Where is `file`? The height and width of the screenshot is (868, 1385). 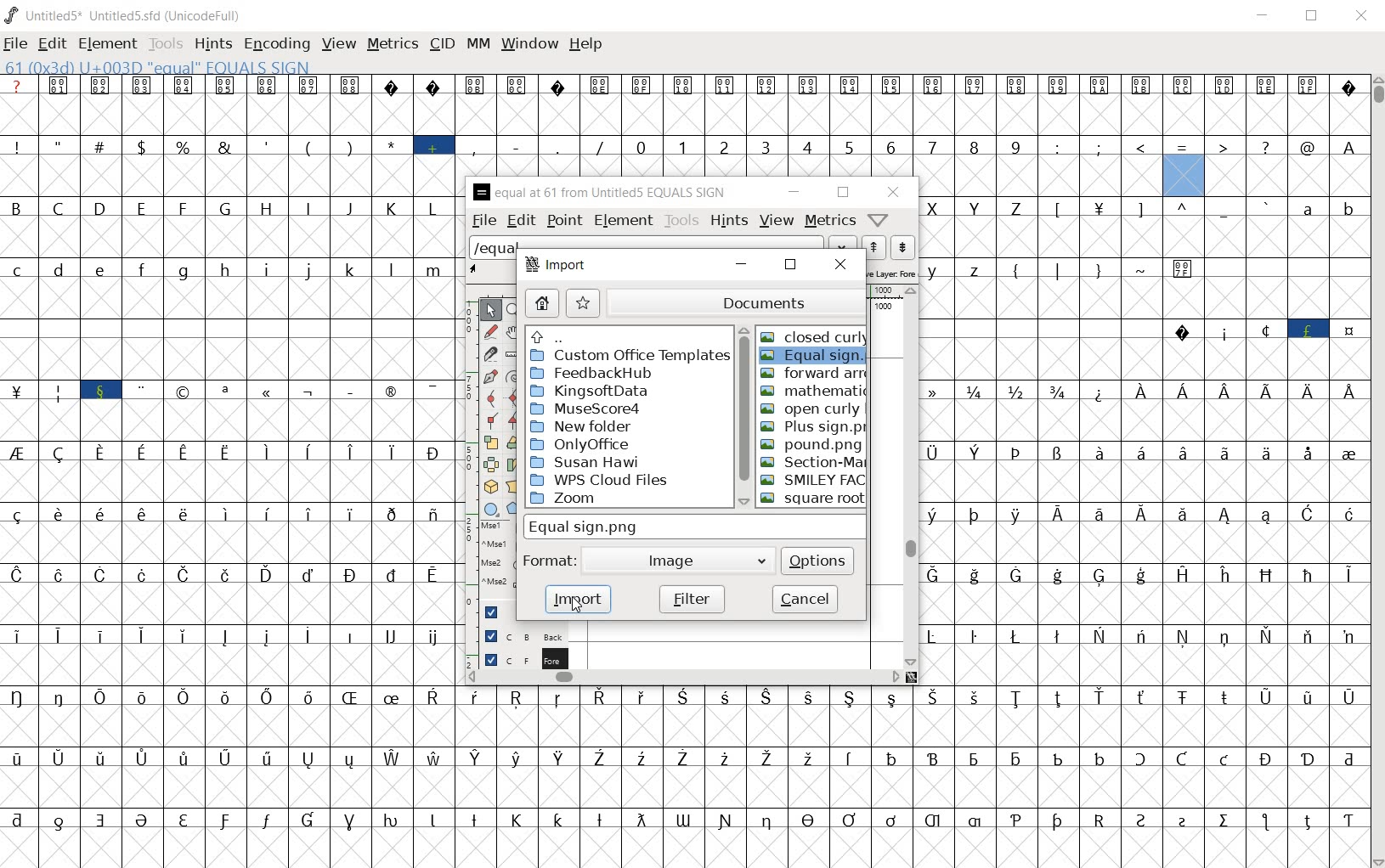
file is located at coordinates (14, 45).